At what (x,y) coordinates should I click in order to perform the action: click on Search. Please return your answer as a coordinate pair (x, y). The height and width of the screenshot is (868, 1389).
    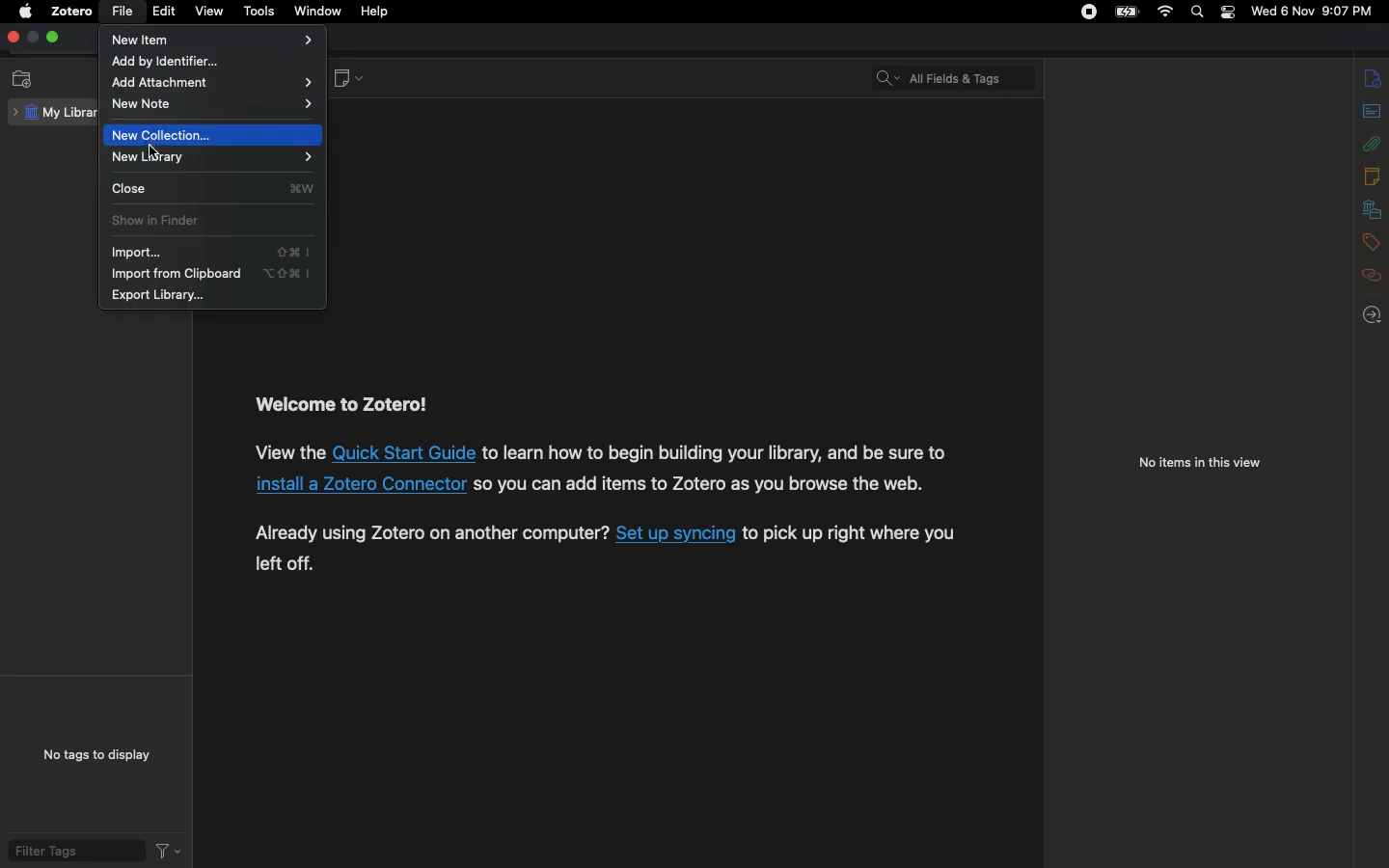
    Looking at the image, I should click on (1198, 12).